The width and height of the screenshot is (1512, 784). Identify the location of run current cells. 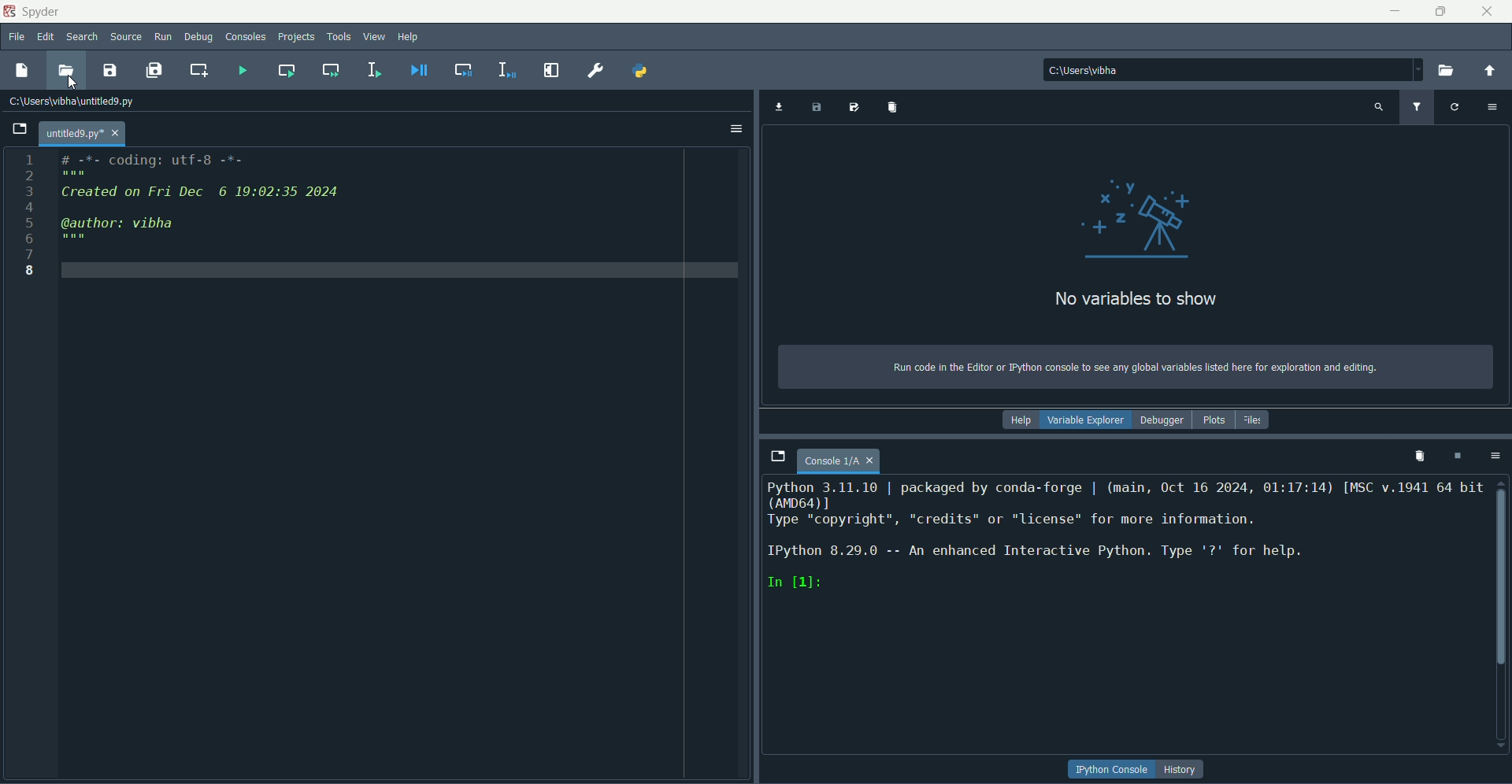
(287, 71).